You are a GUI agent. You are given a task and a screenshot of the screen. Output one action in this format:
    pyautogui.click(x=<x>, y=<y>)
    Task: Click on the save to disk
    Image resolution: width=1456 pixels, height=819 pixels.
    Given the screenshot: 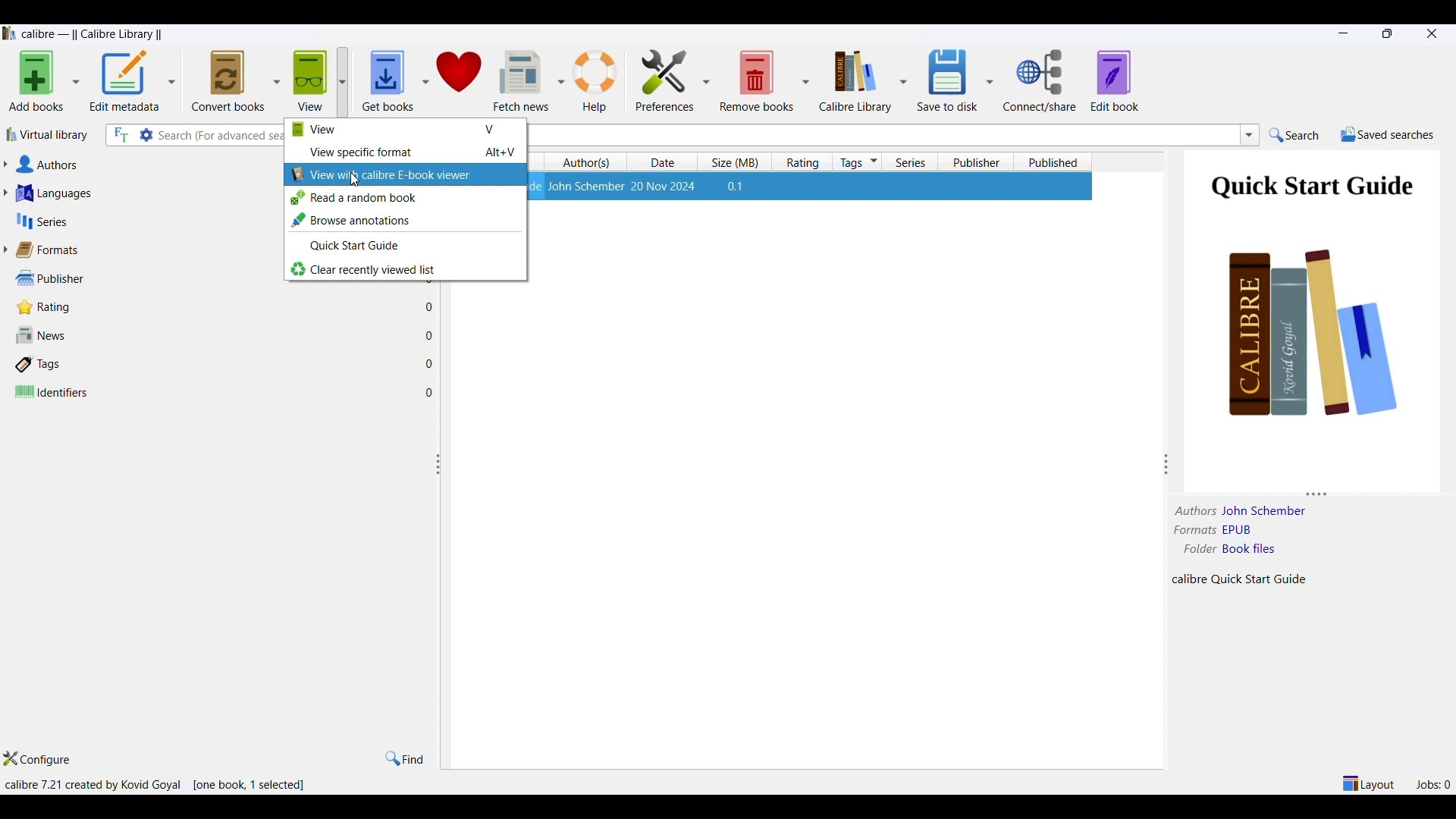 What is the action you would take?
    pyautogui.click(x=945, y=81)
    